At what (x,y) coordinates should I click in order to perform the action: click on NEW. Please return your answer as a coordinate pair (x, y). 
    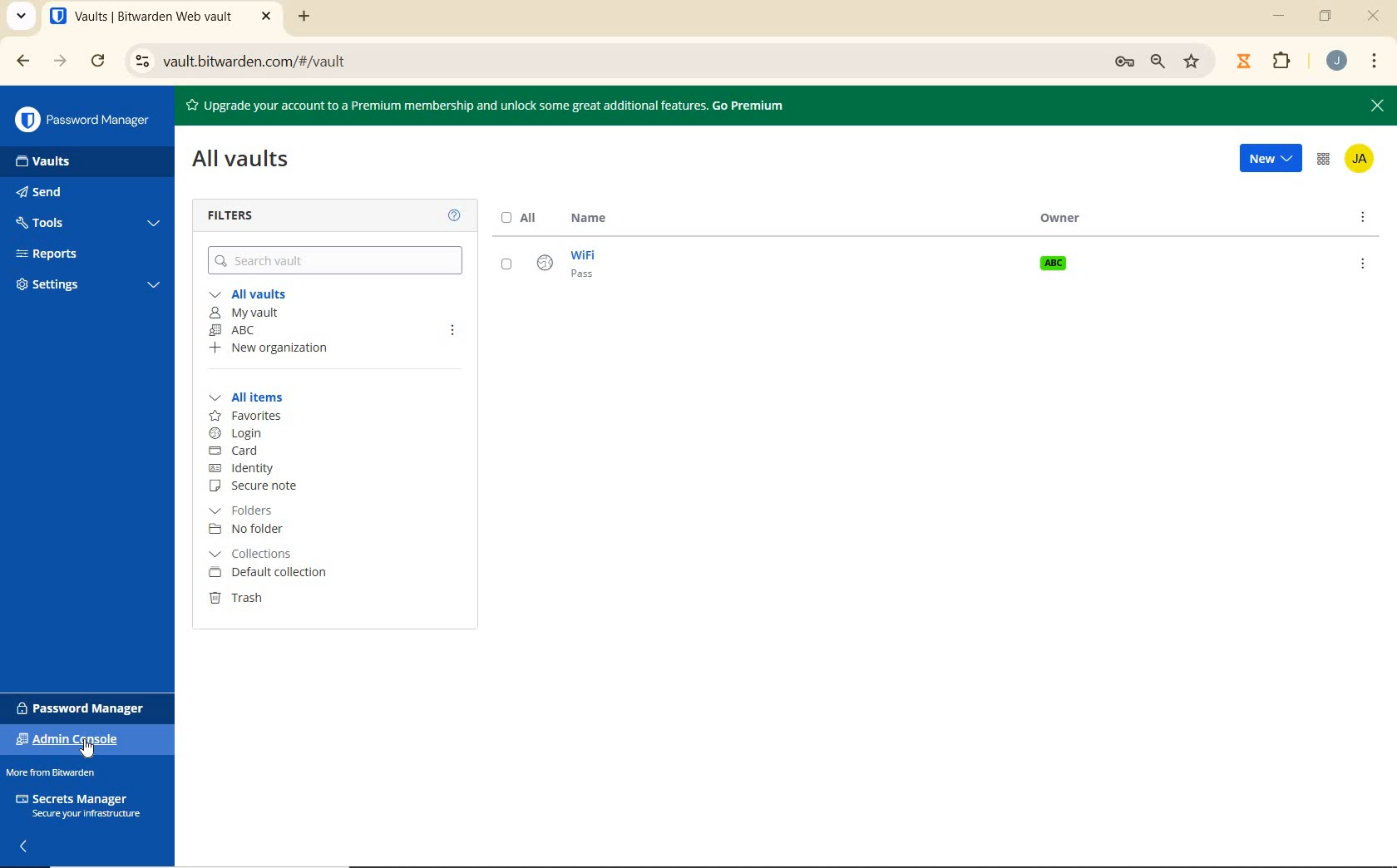
    Looking at the image, I should click on (1266, 160).